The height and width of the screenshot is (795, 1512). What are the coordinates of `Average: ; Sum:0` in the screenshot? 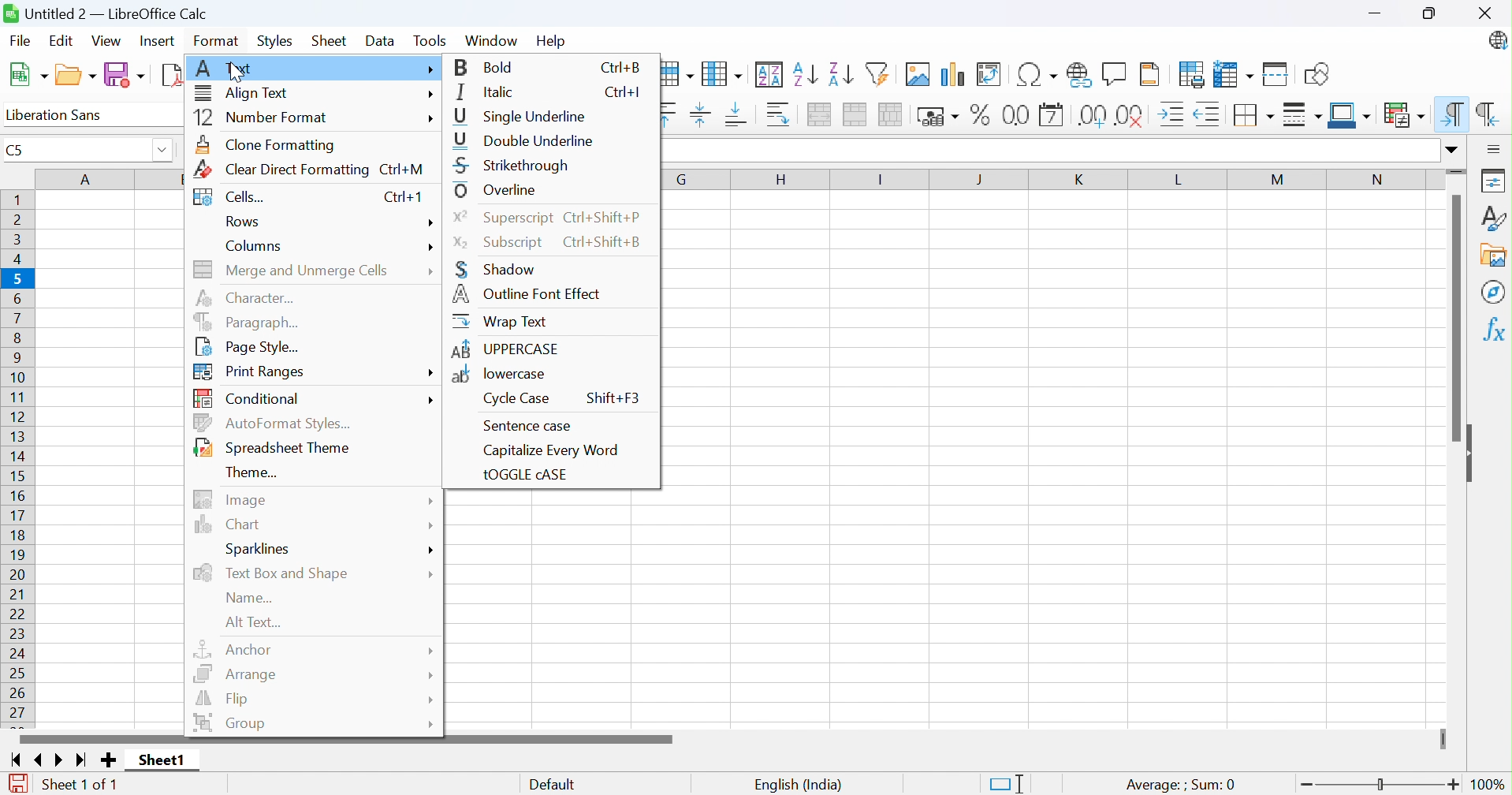 It's located at (1179, 784).